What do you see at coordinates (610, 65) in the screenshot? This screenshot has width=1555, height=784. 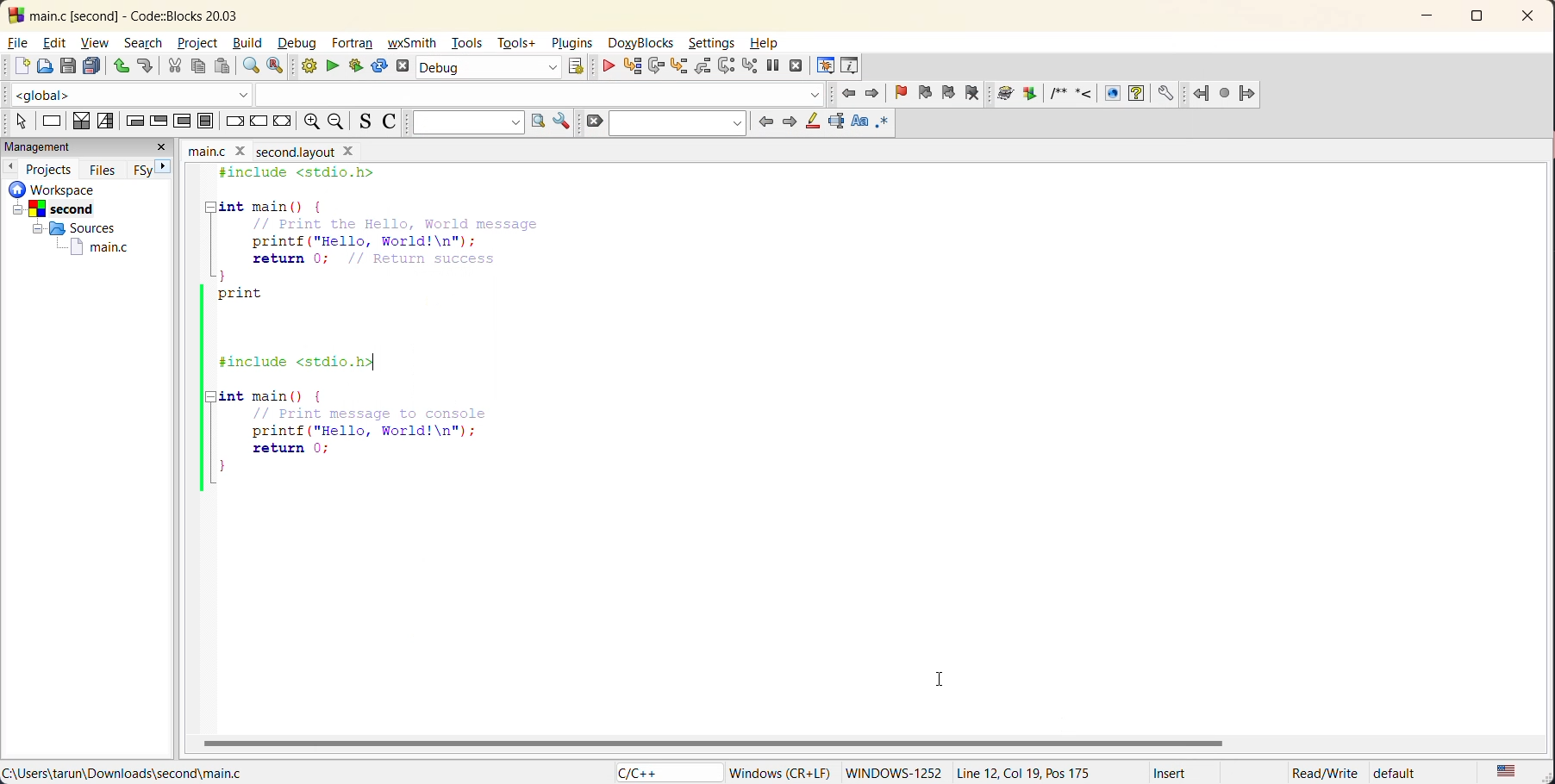 I see `debug` at bounding box center [610, 65].